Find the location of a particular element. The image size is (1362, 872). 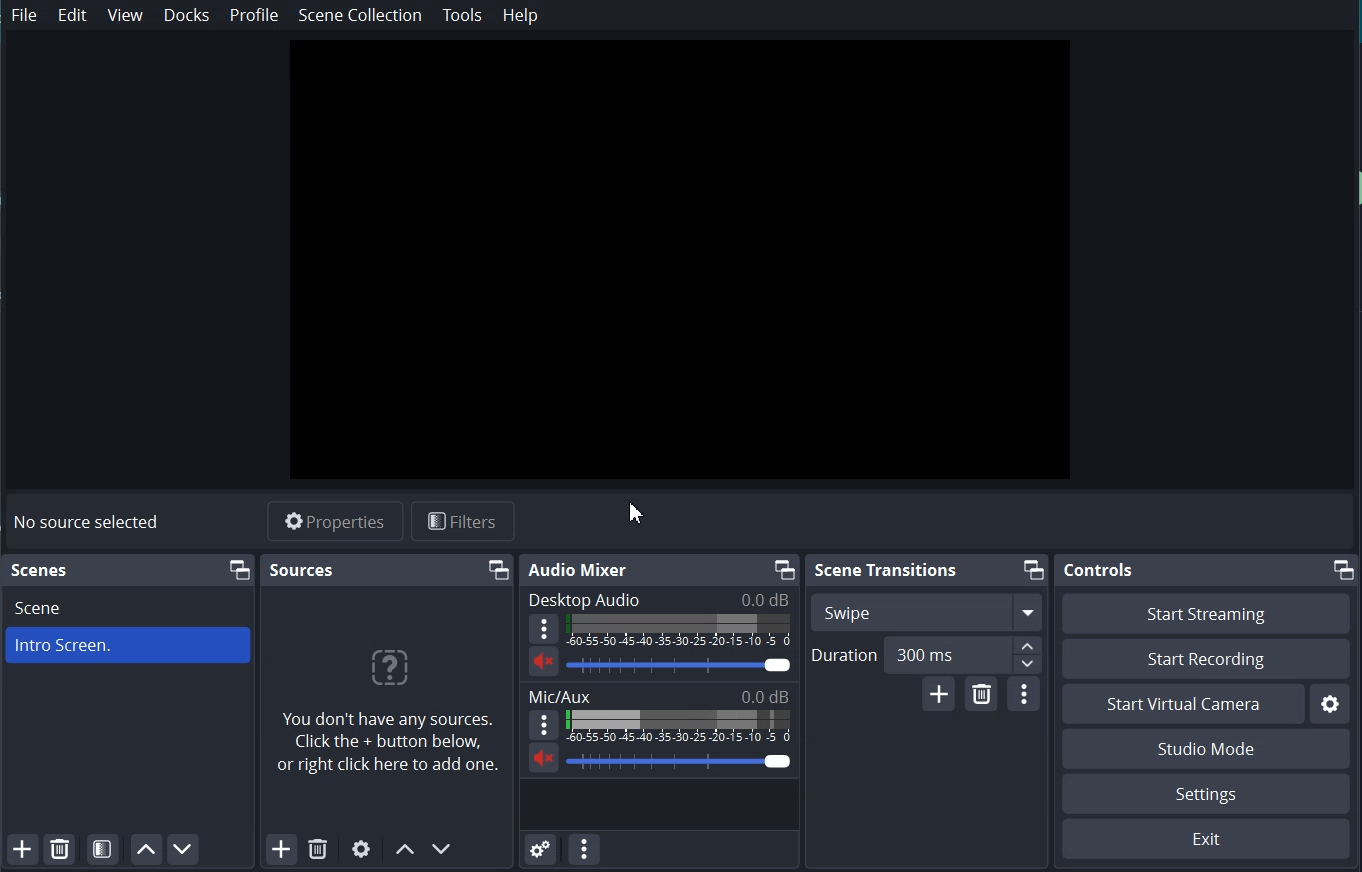

Maximize is located at coordinates (499, 570).